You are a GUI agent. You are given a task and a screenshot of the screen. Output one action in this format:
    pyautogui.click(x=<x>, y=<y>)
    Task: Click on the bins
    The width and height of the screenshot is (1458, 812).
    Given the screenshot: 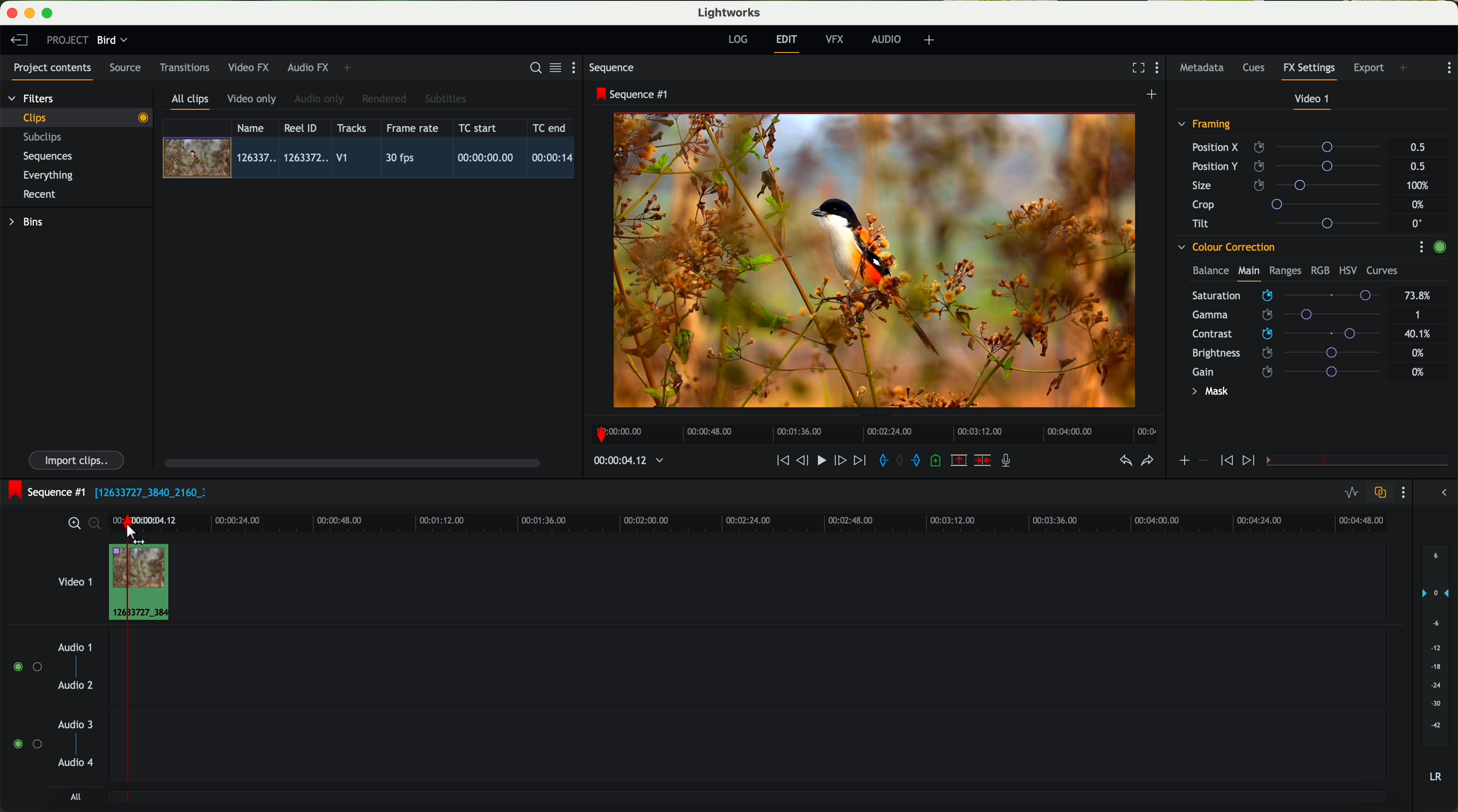 What is the action you would take?
    pyautogui.click(x=28, y=222)
    